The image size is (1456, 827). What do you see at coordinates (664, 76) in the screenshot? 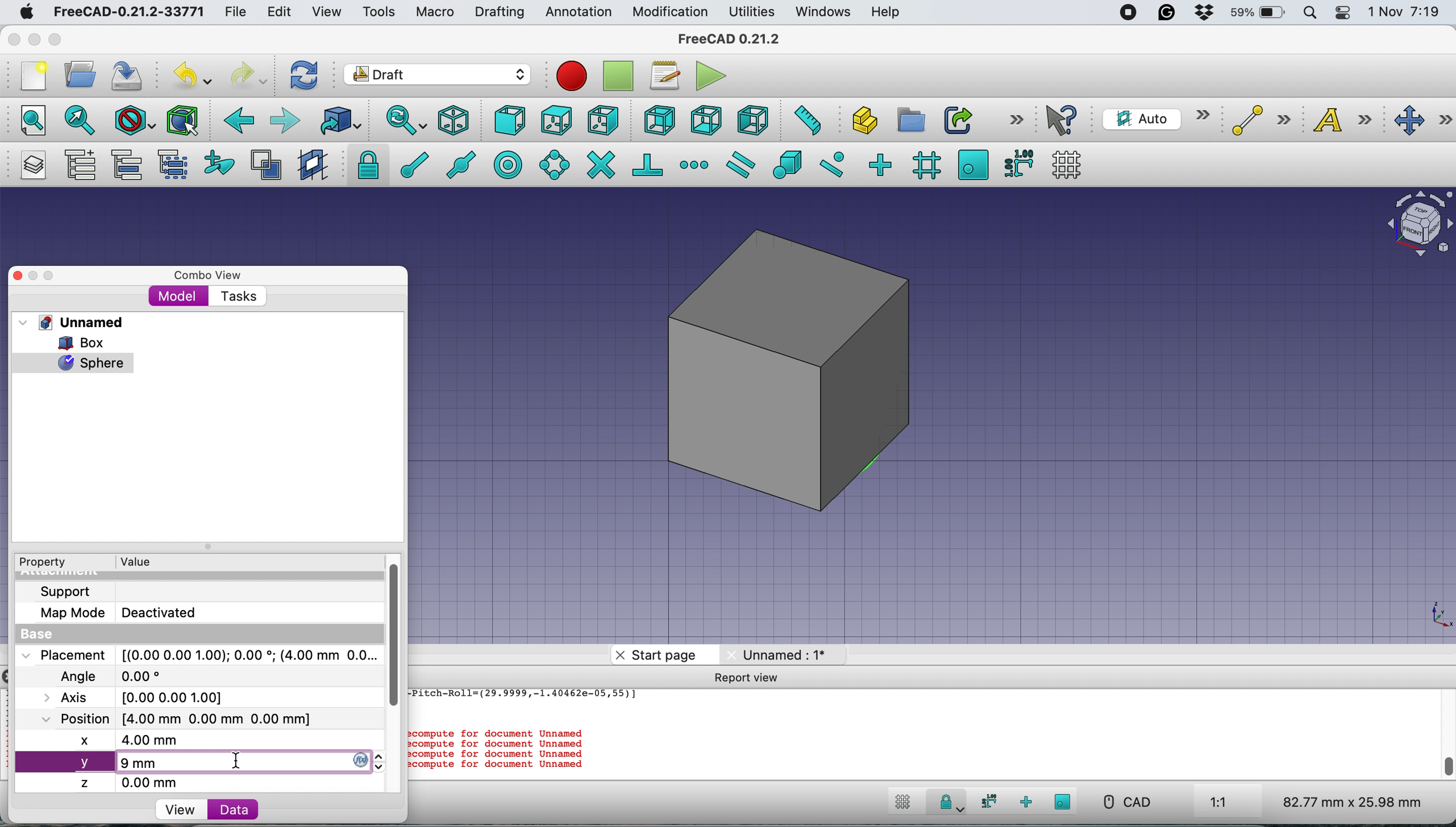
I see `macros` at bounding box center [664, 76].